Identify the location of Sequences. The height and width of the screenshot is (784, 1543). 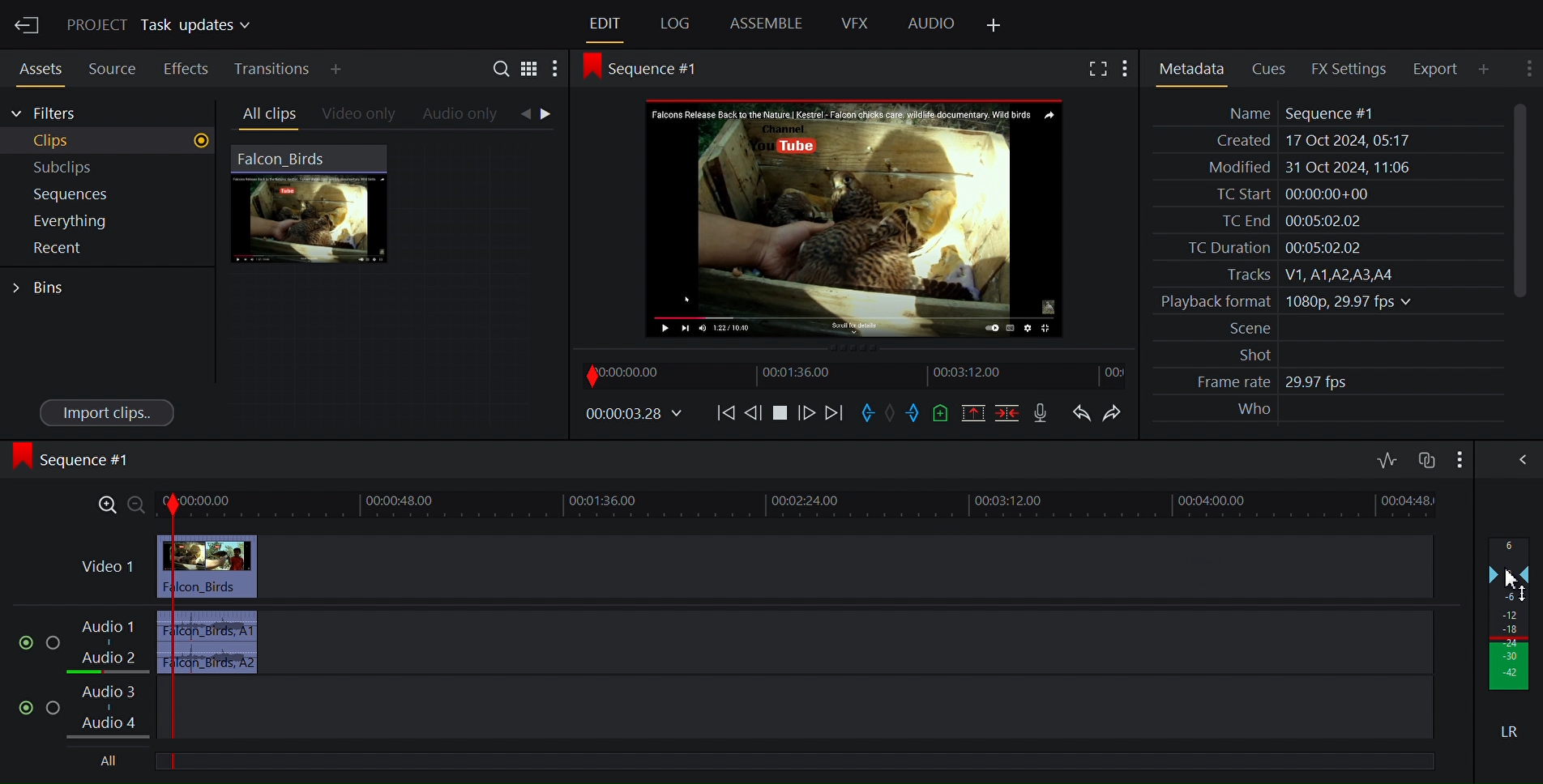
(100, 194).